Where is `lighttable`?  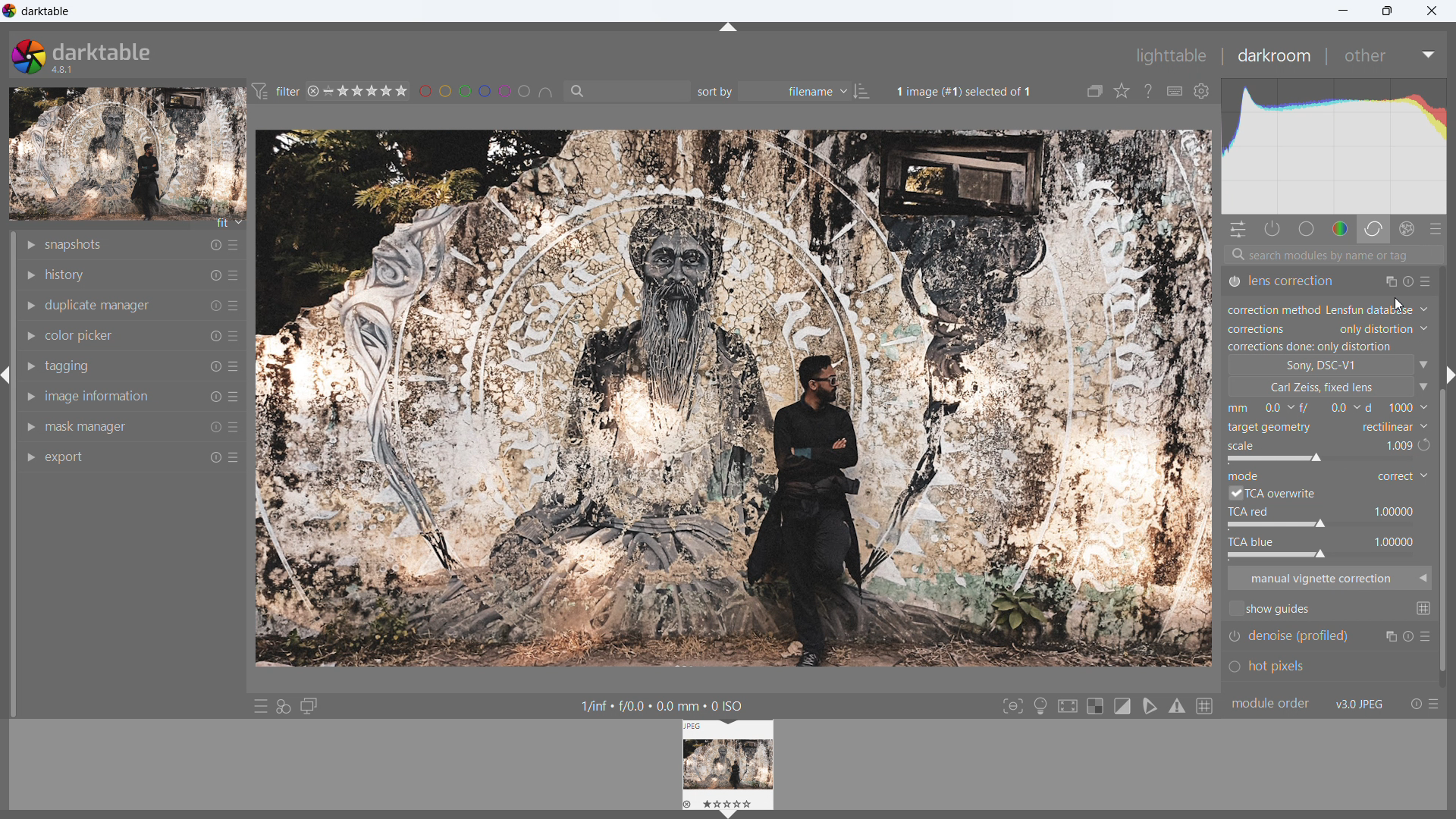 lighttable is located at coordinates (1172, 55).